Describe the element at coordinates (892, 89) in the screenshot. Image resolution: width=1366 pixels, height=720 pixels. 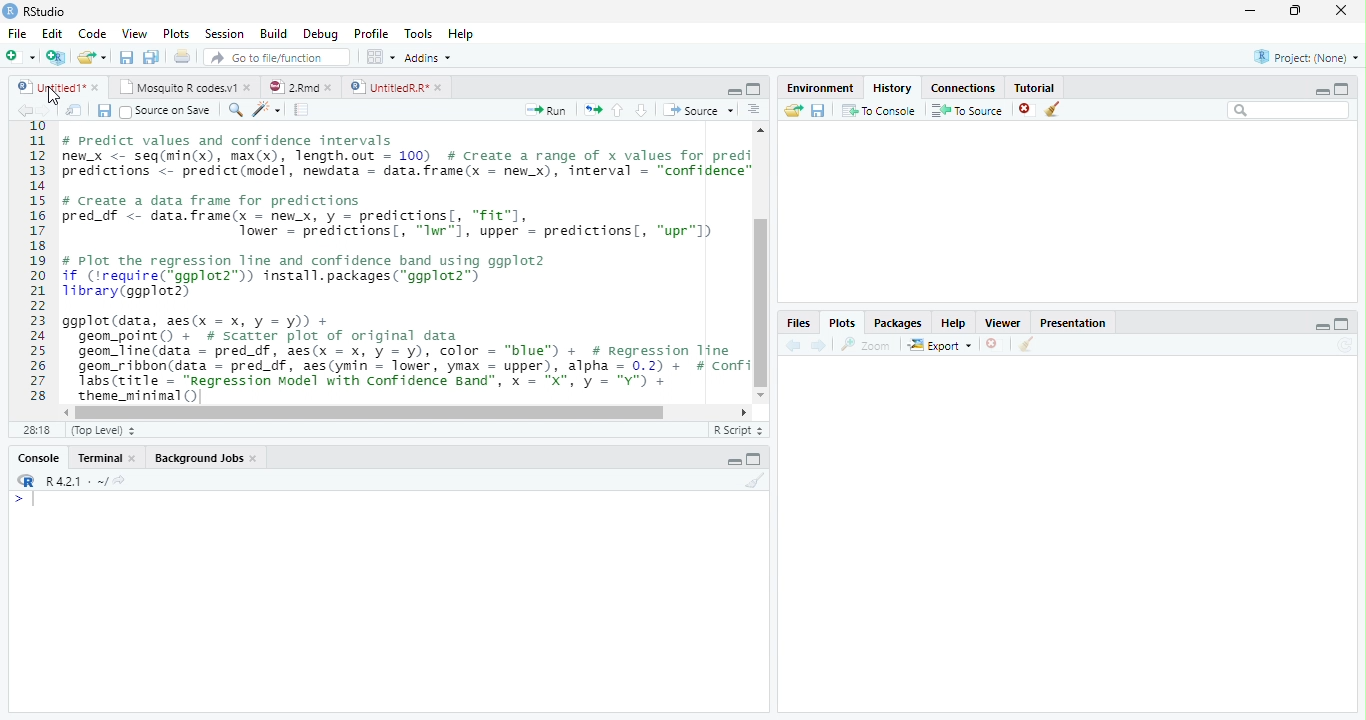
I see `History` at that location.